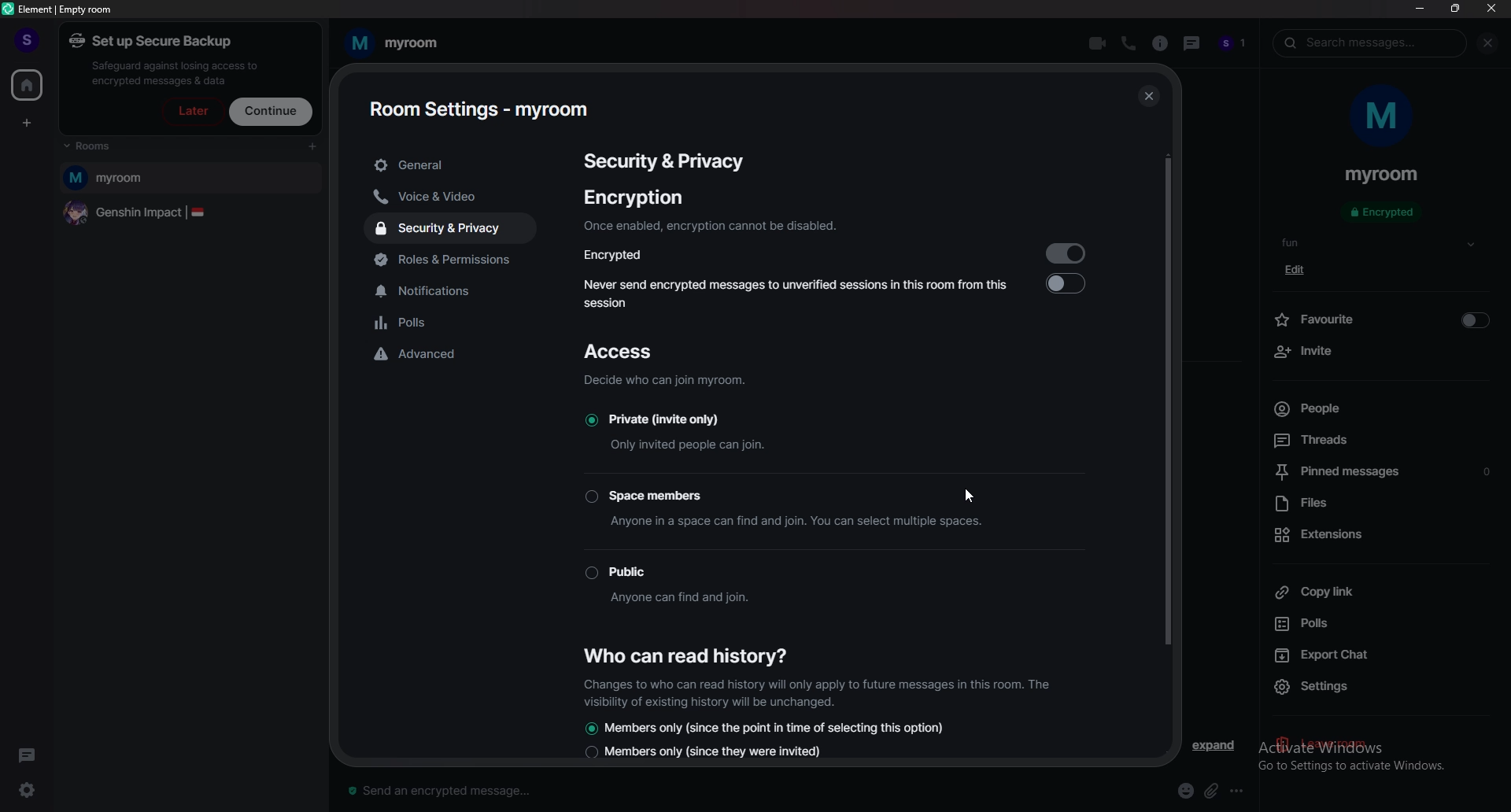 The width and height of the screenshot is (1511, 812). What do you see at coordinates (25, 125) in the screenshot?
I see `create a space` at bounding box center [25, 125].